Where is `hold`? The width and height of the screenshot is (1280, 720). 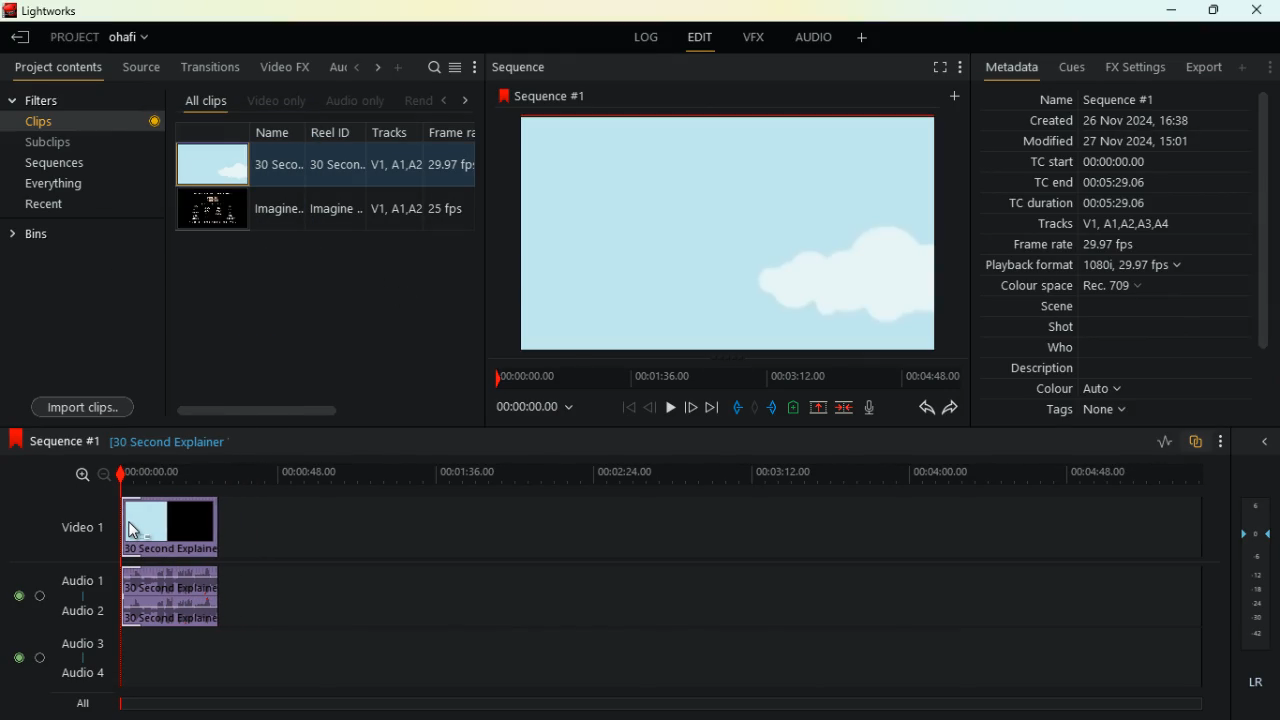
hold is located at coordinates (755, 406).